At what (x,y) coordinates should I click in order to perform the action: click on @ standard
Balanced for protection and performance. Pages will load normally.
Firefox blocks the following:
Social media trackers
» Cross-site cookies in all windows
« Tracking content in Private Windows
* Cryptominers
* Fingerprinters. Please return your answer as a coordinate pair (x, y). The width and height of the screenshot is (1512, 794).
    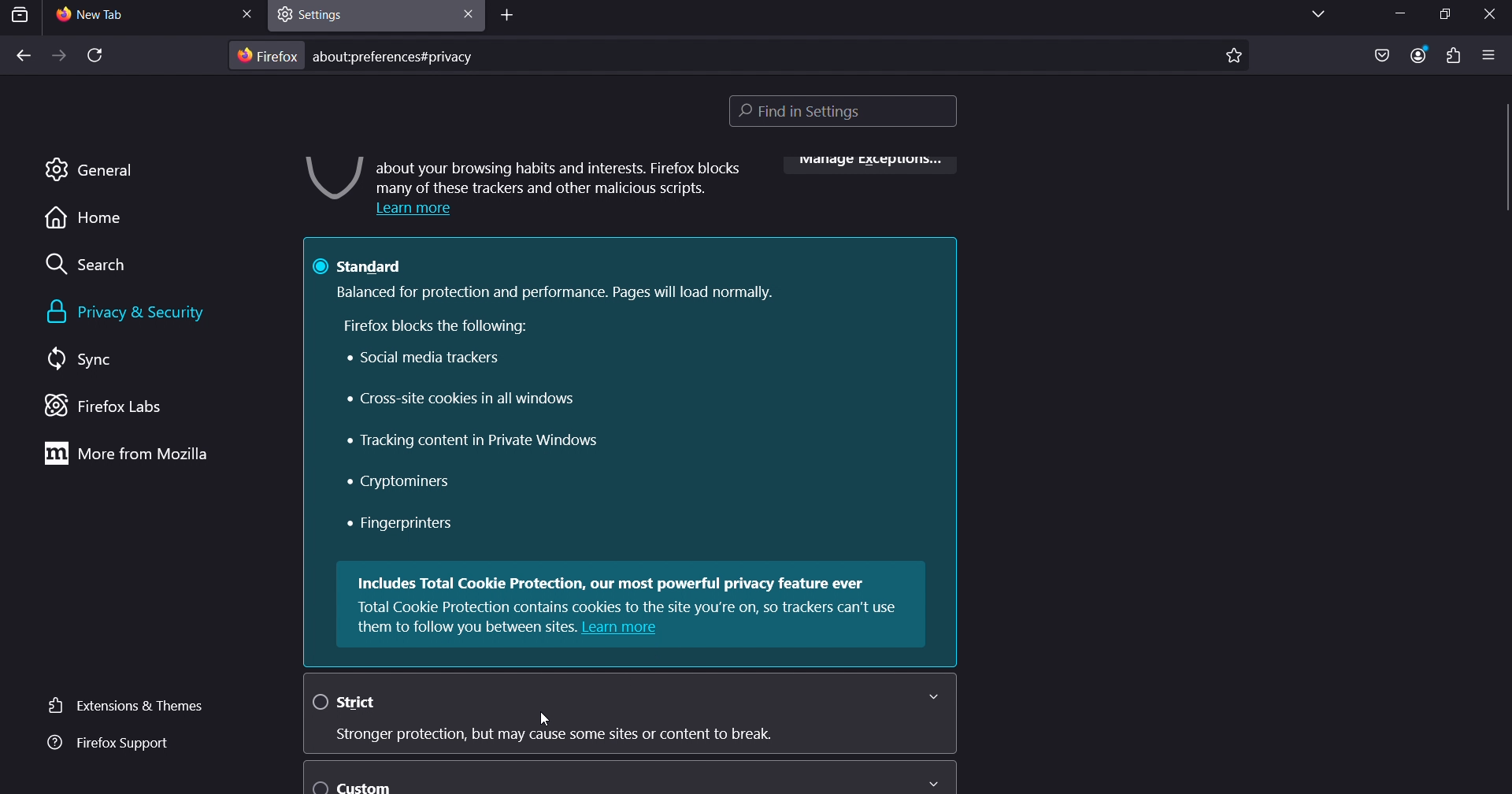
    Looking at the image, I should click on (633, 396).